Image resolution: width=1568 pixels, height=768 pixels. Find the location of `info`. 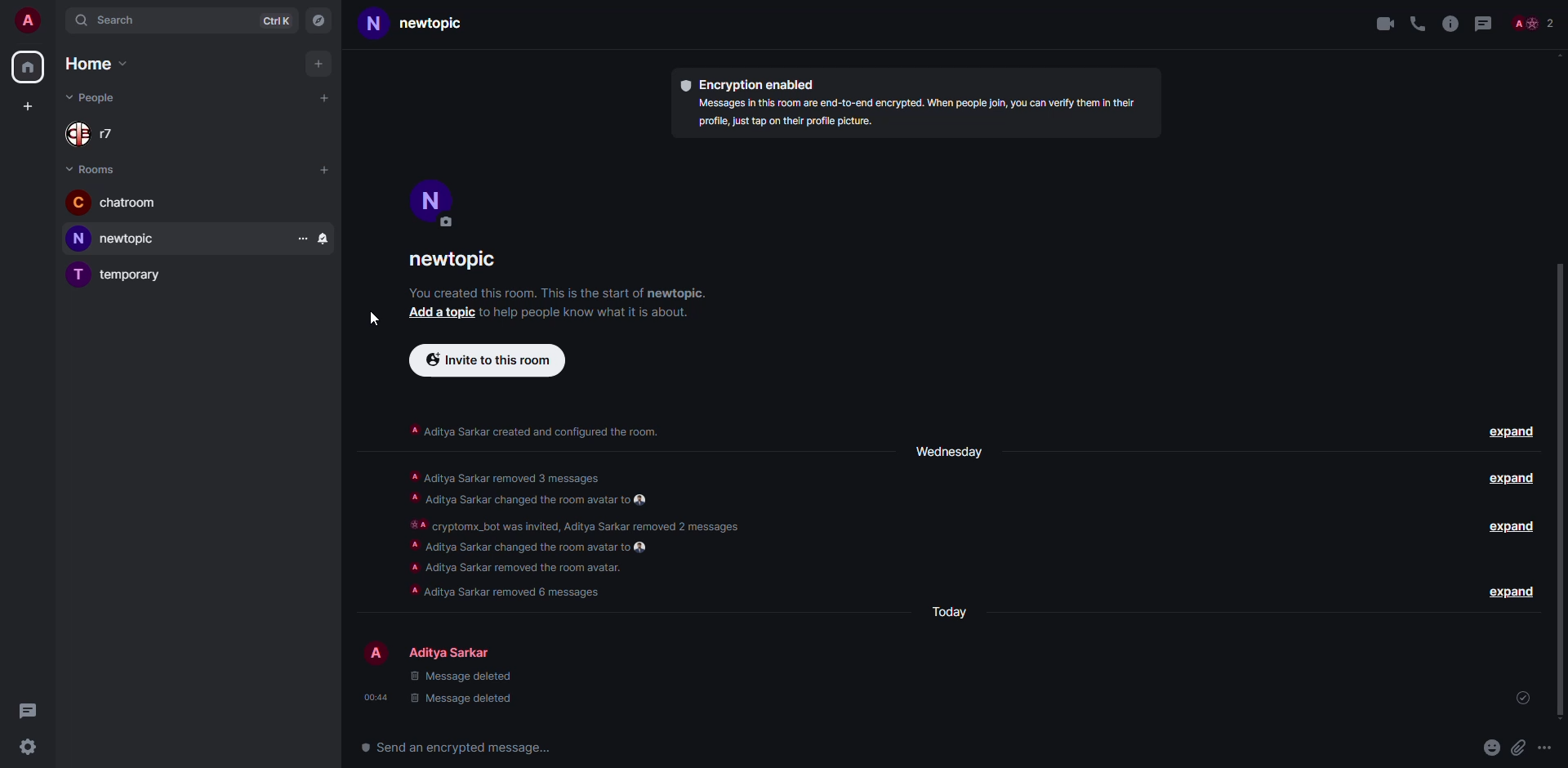

info is located at coordinates (1450, 23).